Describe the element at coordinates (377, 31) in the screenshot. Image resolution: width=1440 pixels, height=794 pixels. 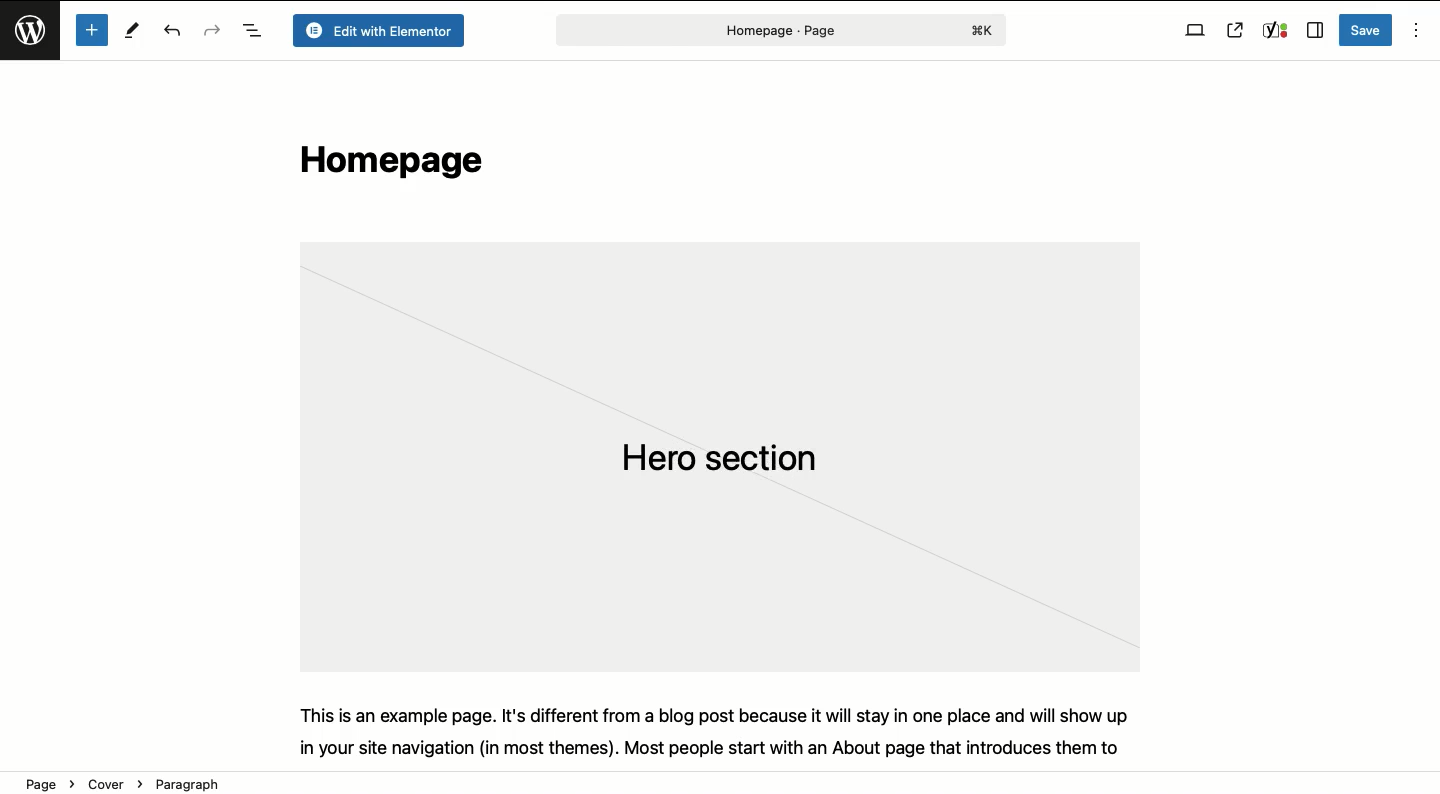
I see `Edit with elementor` at that location.